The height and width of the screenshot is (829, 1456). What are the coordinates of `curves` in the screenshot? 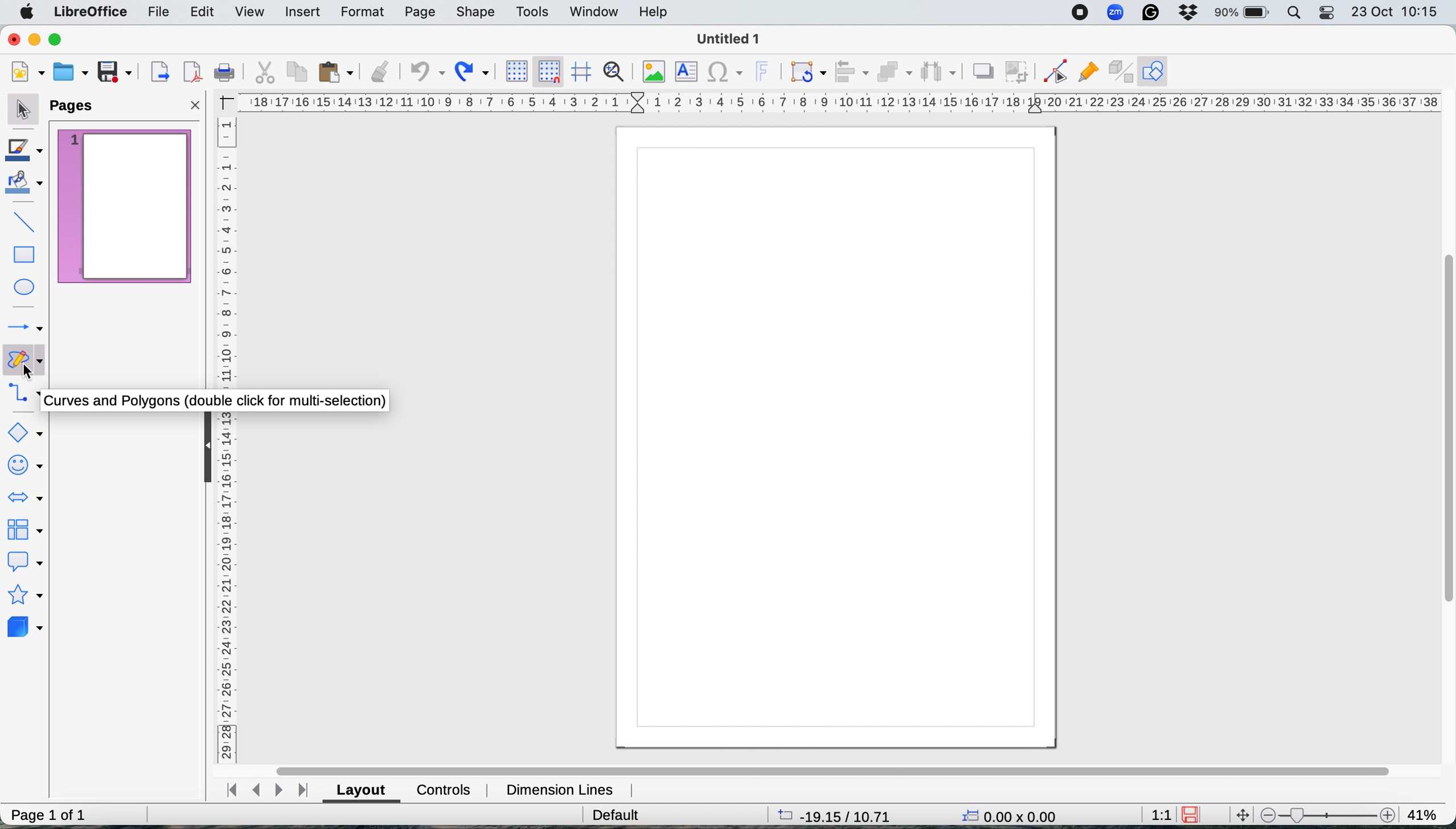 It's located at (28, 375).